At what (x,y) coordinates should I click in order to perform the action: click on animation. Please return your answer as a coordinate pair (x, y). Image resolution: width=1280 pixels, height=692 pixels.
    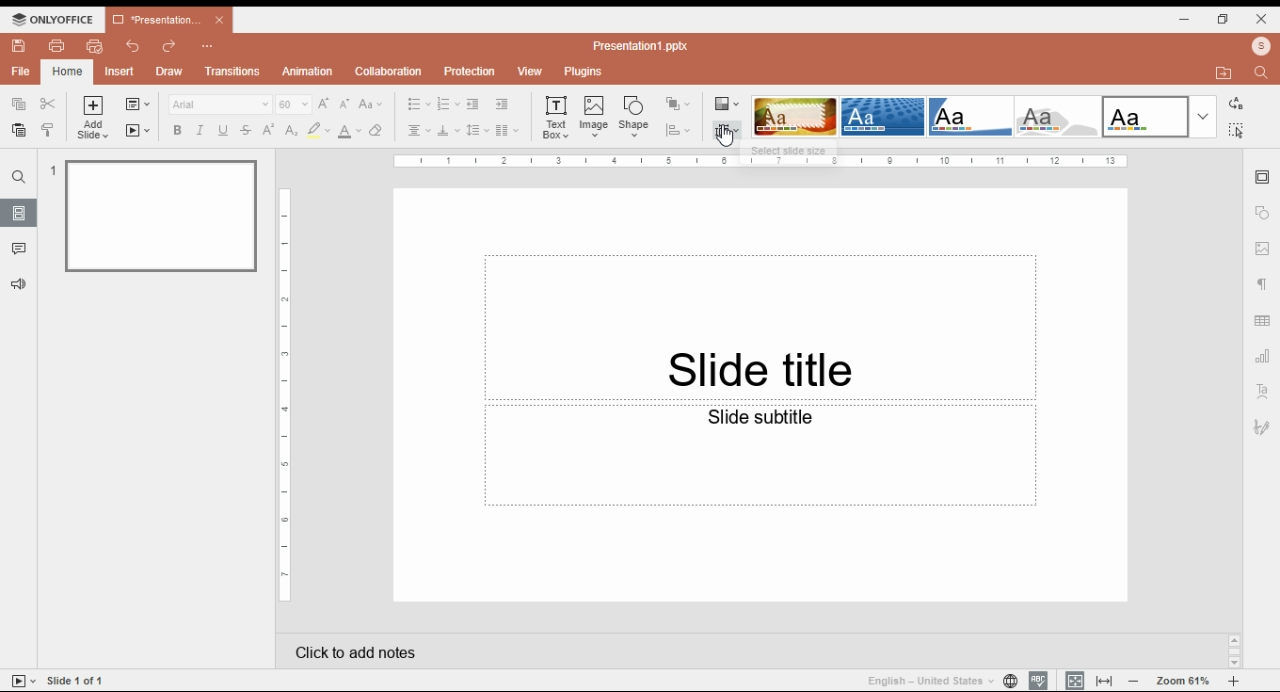
    Looking at the image, I should click on (309, 71).